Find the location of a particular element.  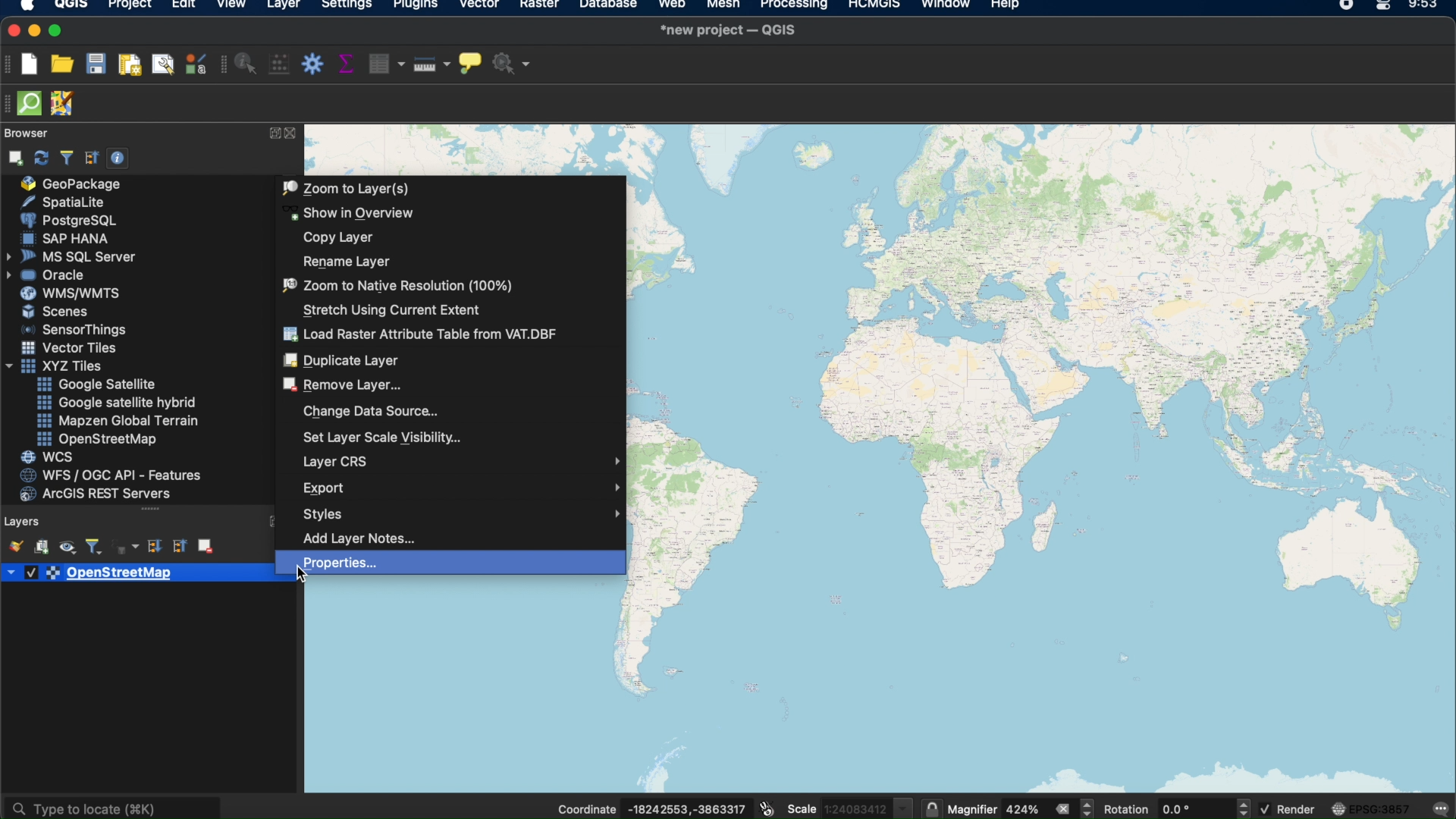

duplicate layer is located at coordinates (343, 360).